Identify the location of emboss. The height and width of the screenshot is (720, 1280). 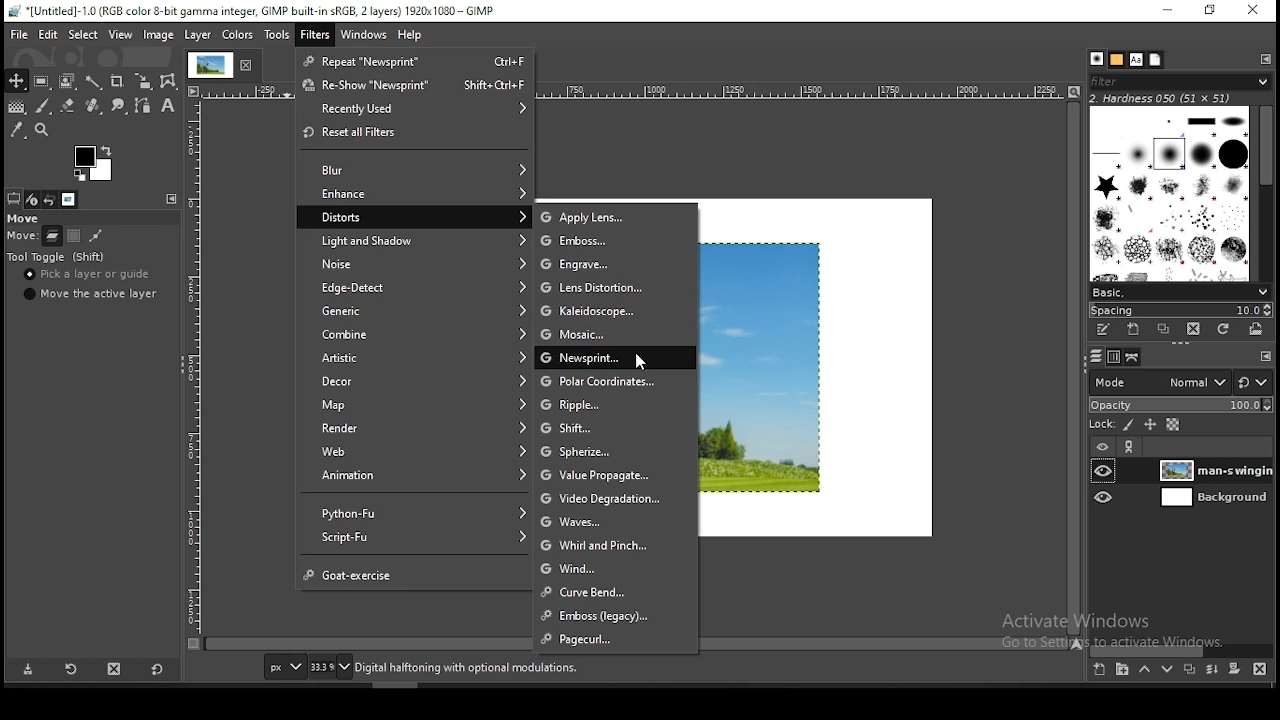
(615, 240).